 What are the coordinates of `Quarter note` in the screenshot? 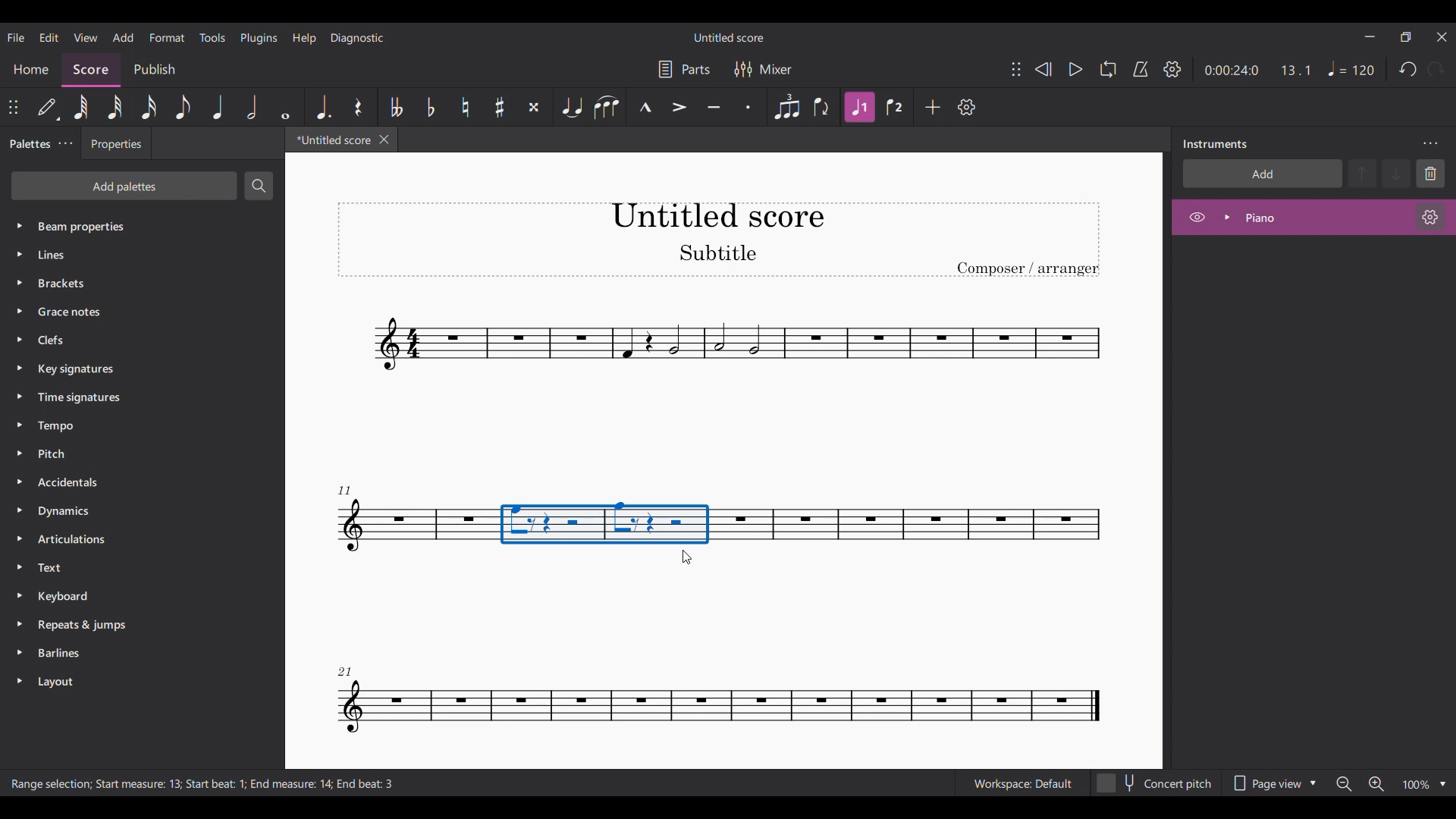 It's located at (218, 107).